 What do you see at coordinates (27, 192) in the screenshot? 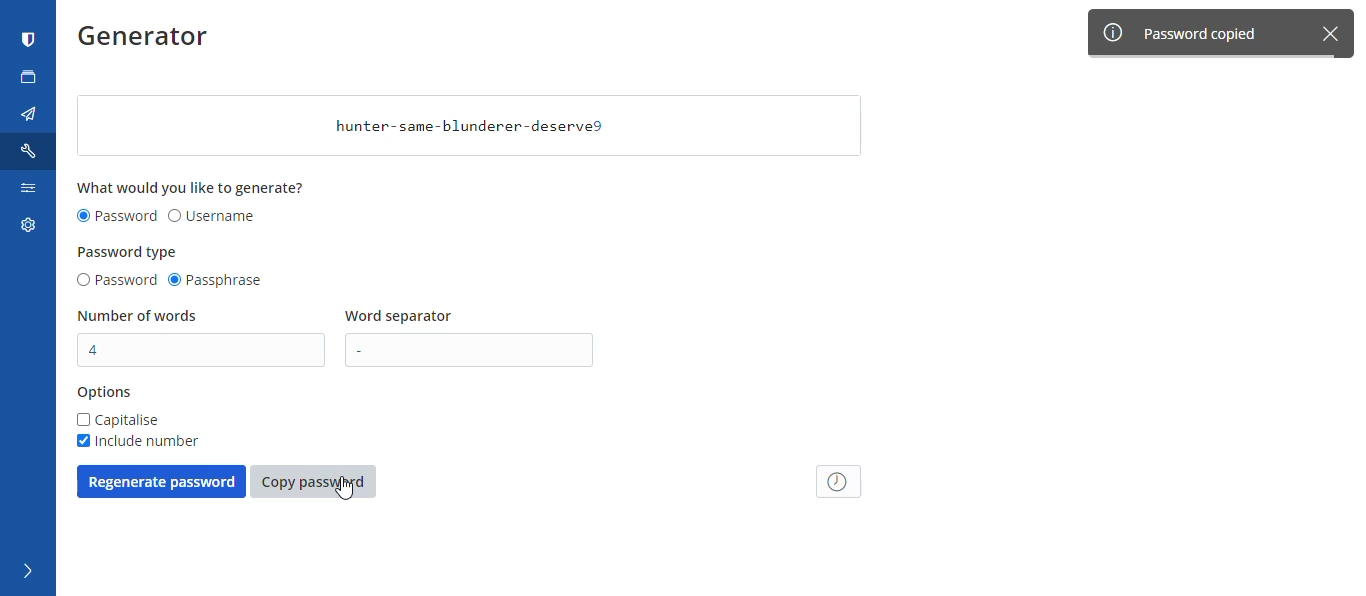
I see `search settings` at bounding box center [27, 192].